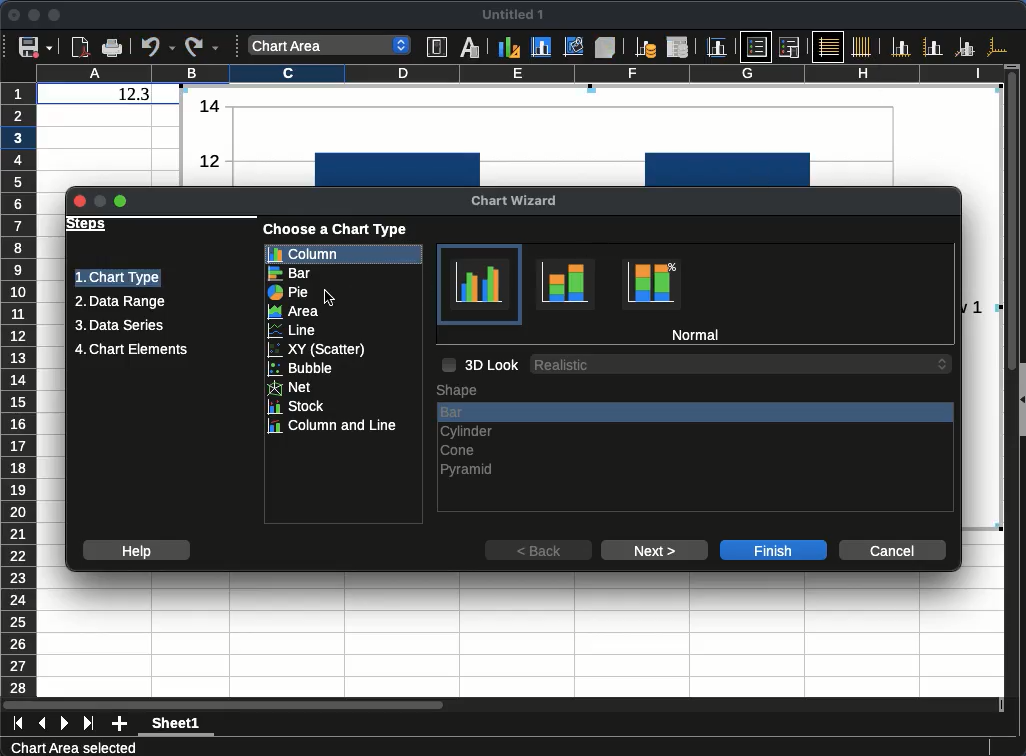 The height and width of the screenshot is (756, 1026). Describe the element at coordinates (344, 312) in the screenshot. I see `area` at that location.